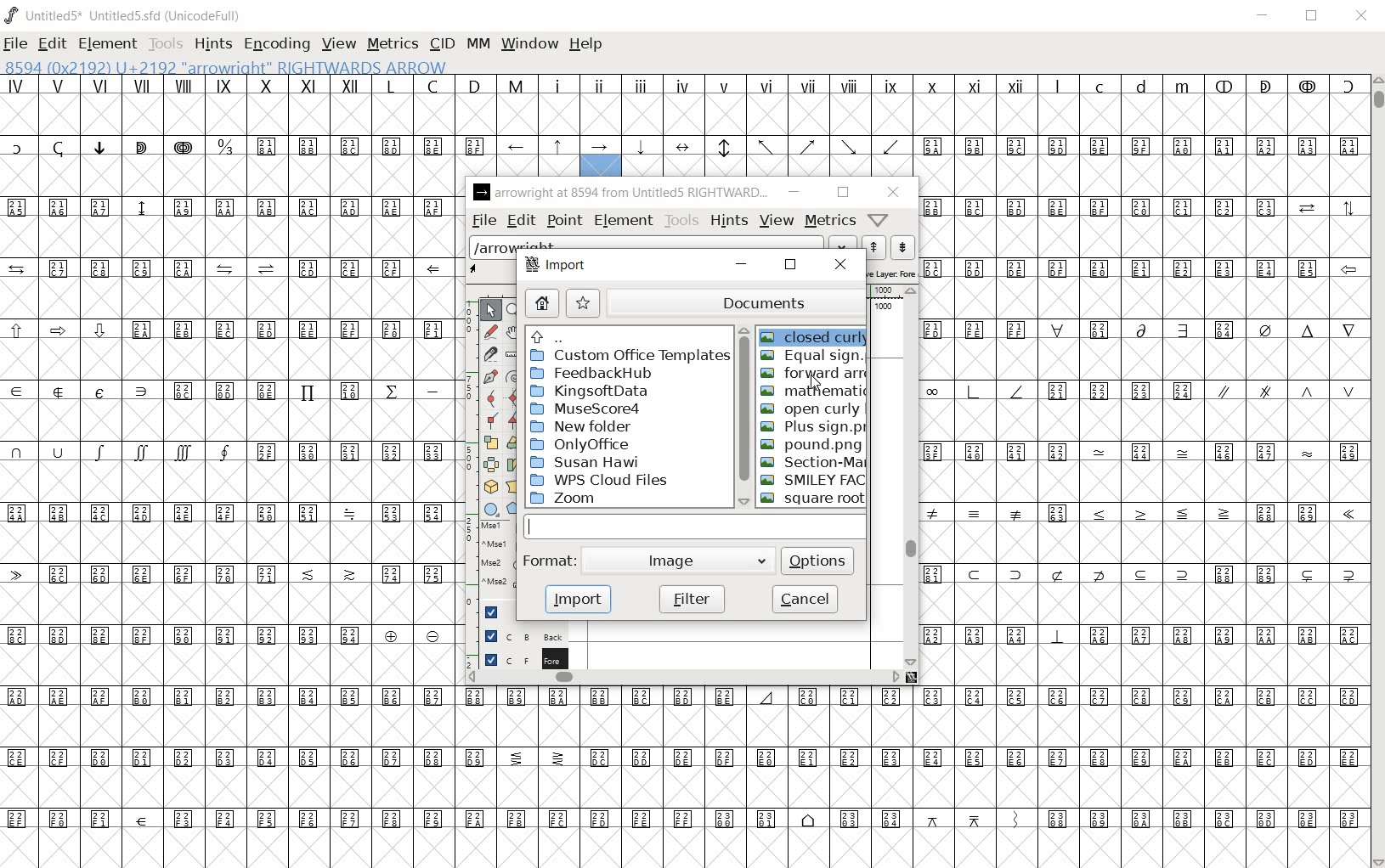 Image resolution: width=1385 pixels, height=868 pixels. Describe the element at coordinates (687, 714) in the screenshot. I see `glyph characters` at that location.